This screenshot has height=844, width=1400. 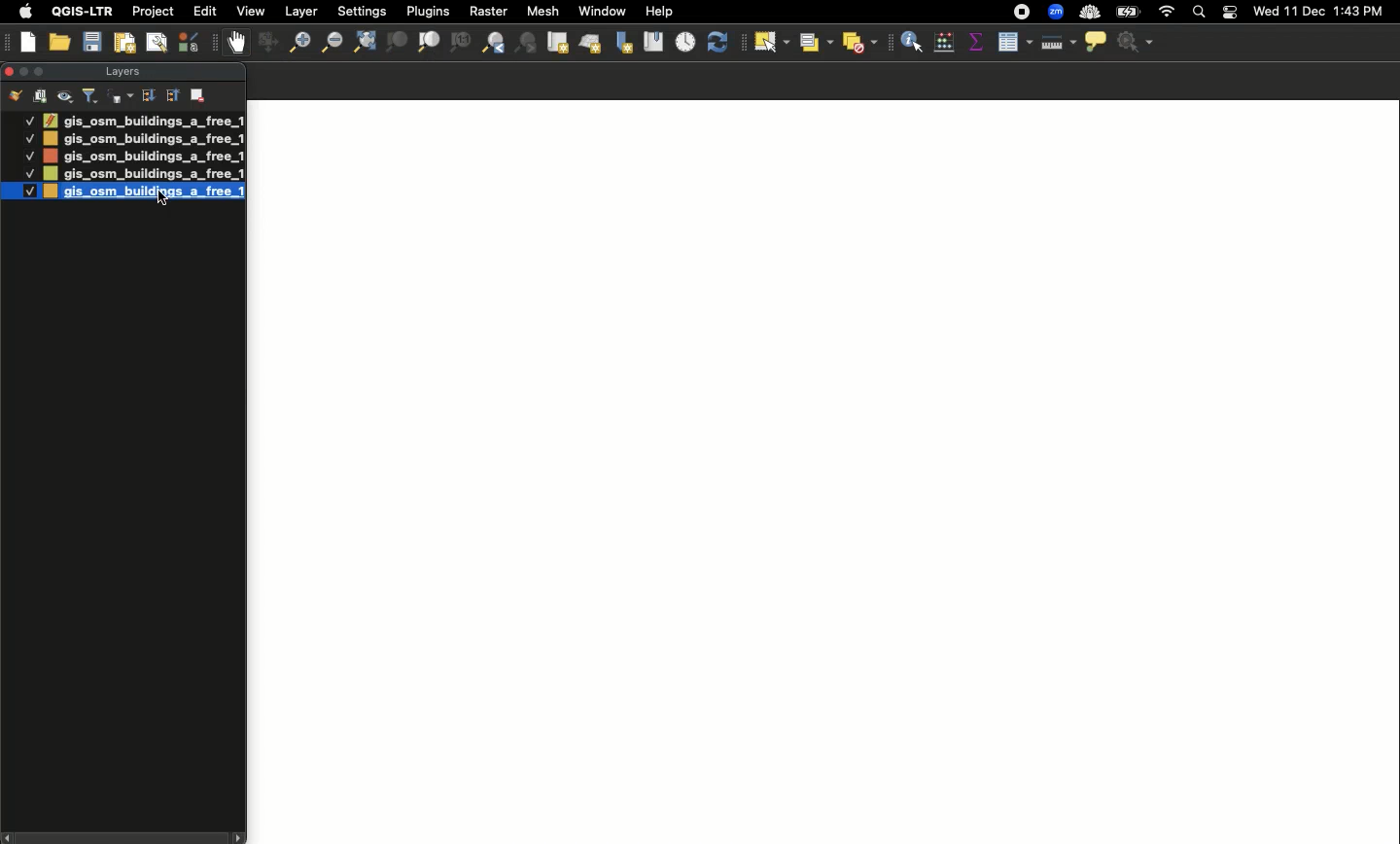 I want to click on Measure line, so click(x=1057, y=43).